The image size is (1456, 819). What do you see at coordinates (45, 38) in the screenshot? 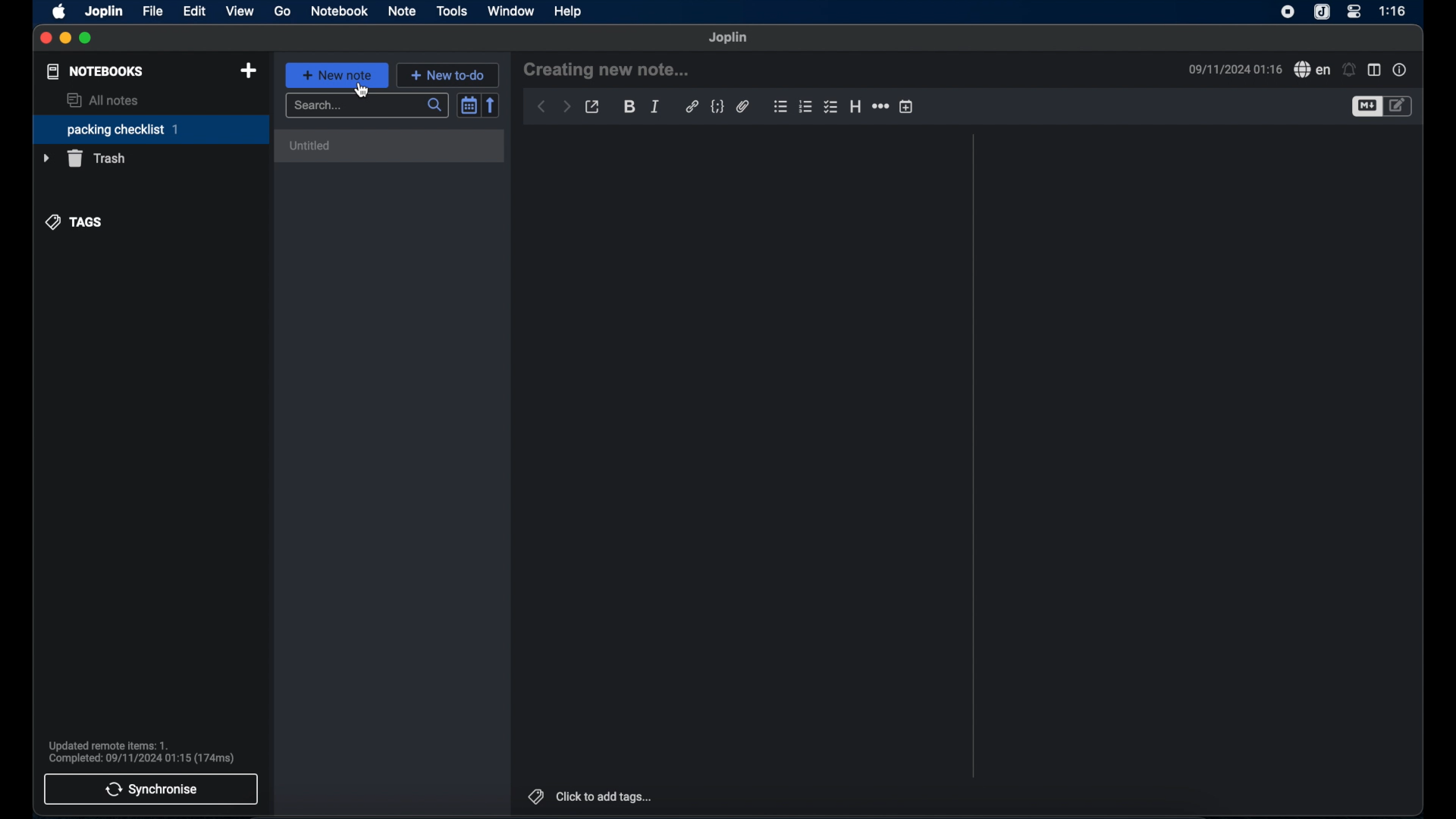
I see `close` at bounding box center [45, 38].